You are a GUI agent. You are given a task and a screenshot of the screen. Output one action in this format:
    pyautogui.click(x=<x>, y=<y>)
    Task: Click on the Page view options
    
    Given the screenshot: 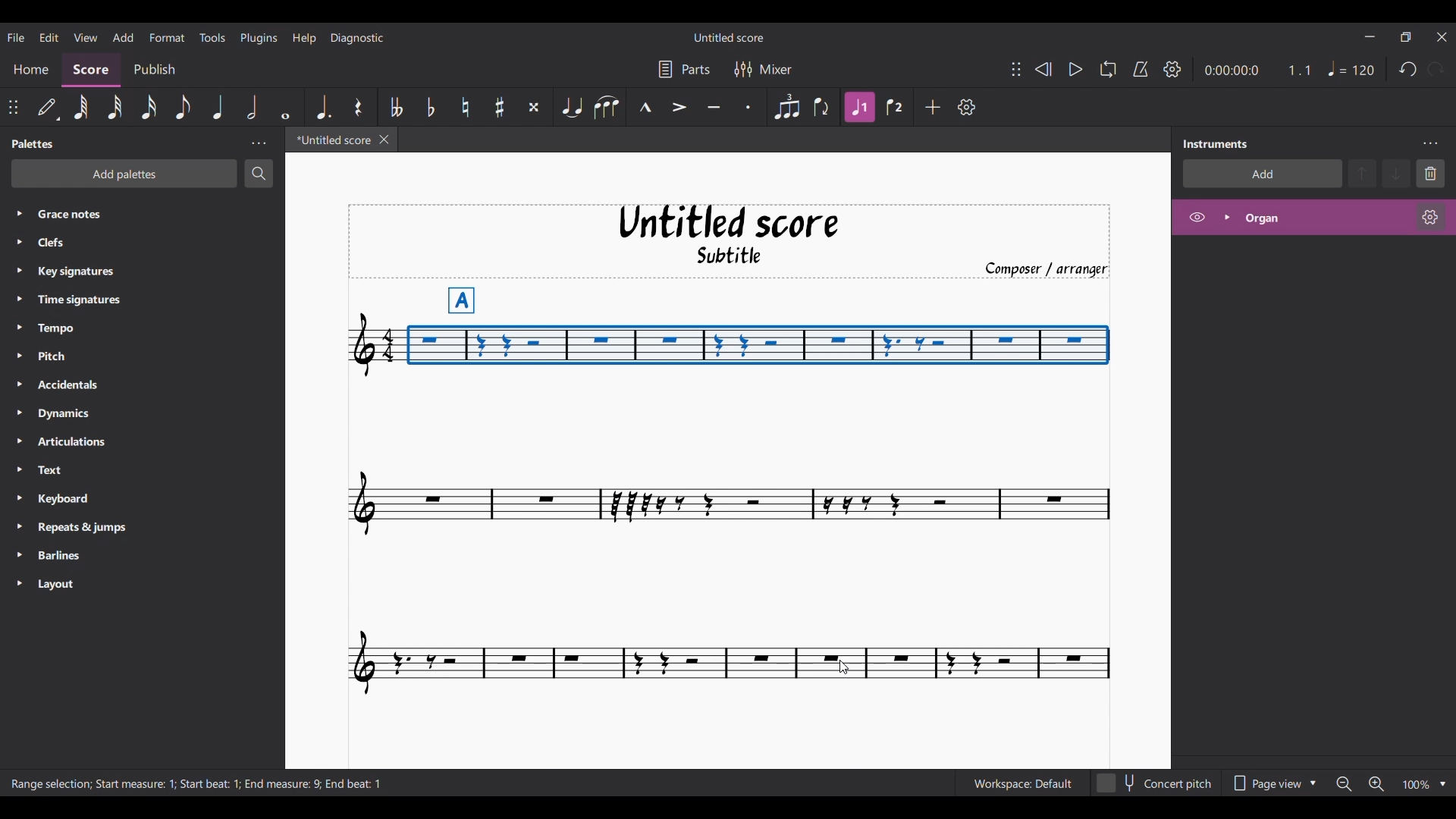 What is the action you would take?
    pyautogui.click(x=1273, y=783)
    